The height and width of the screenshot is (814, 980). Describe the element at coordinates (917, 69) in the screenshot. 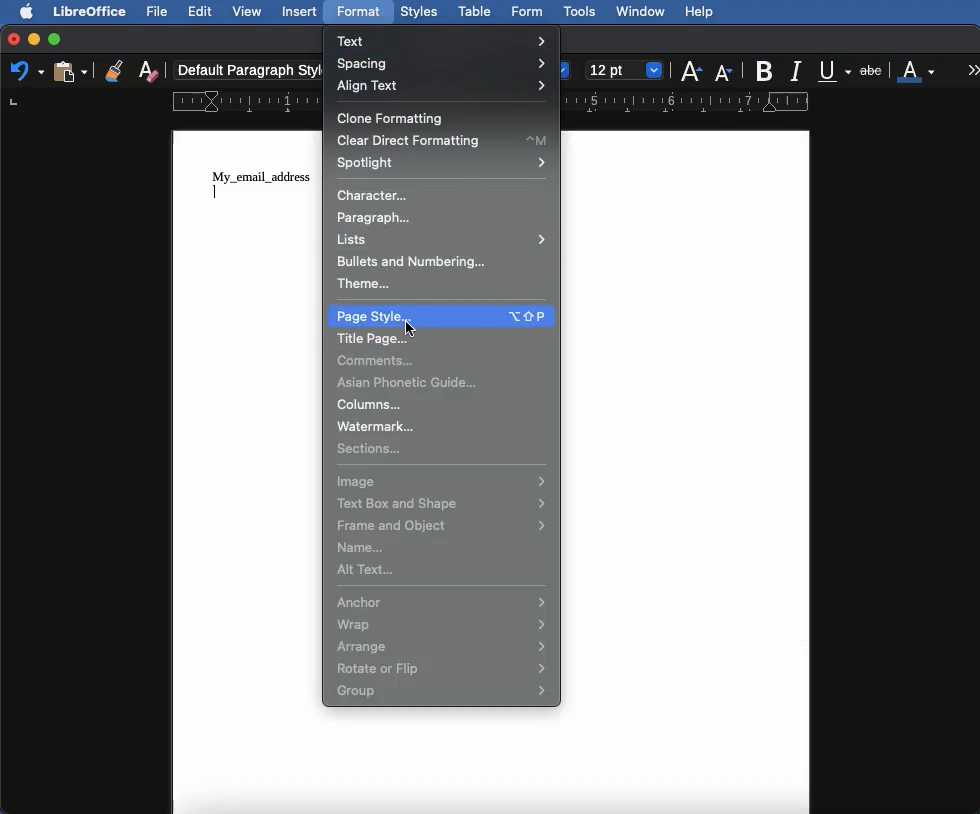

I see `Font color` at that location.